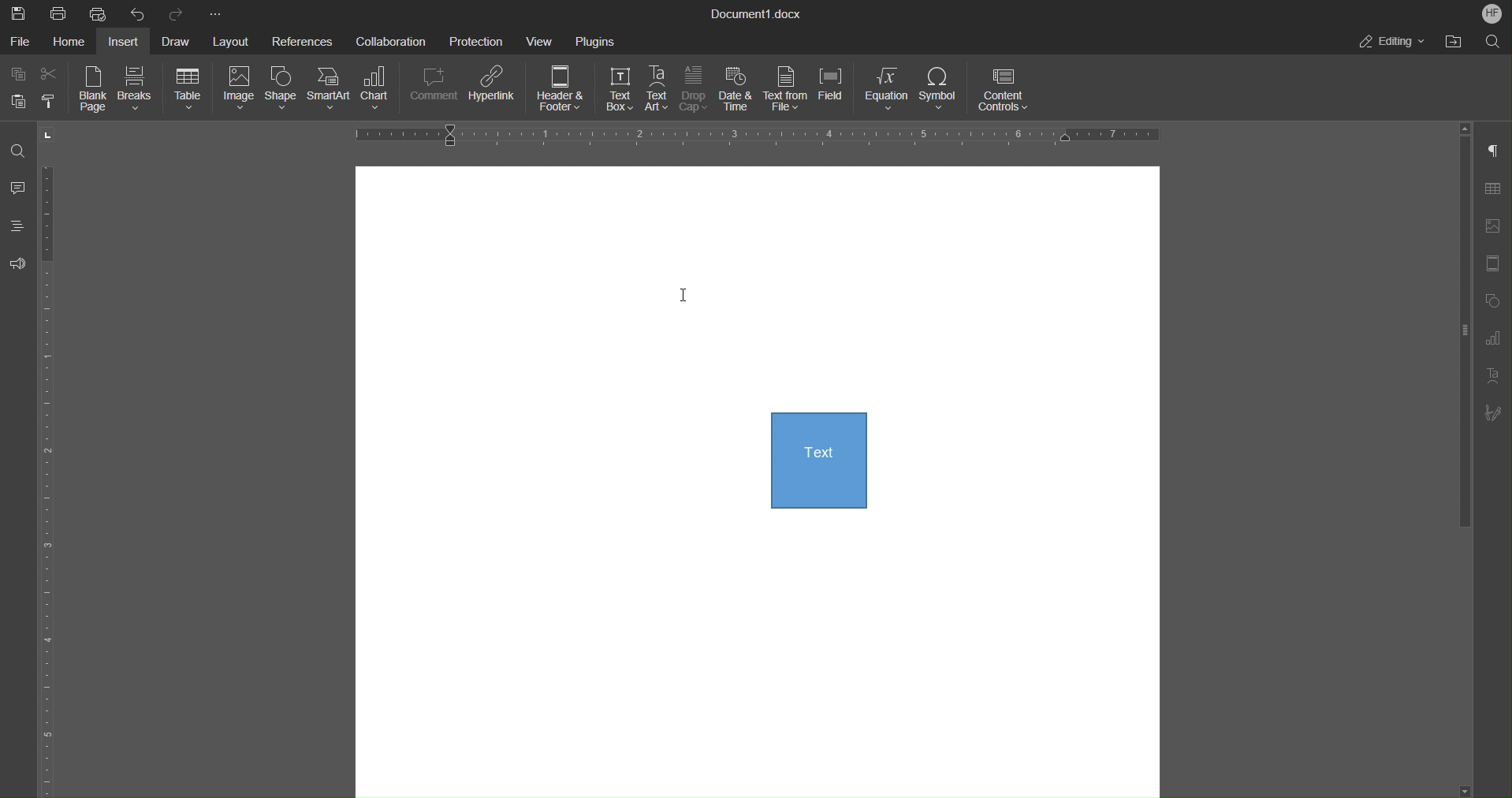 This screenshot has width=1512, height=798. Describe the element at coordinates (49, 135) in the screenshot. I see `Tab stop` at that location.